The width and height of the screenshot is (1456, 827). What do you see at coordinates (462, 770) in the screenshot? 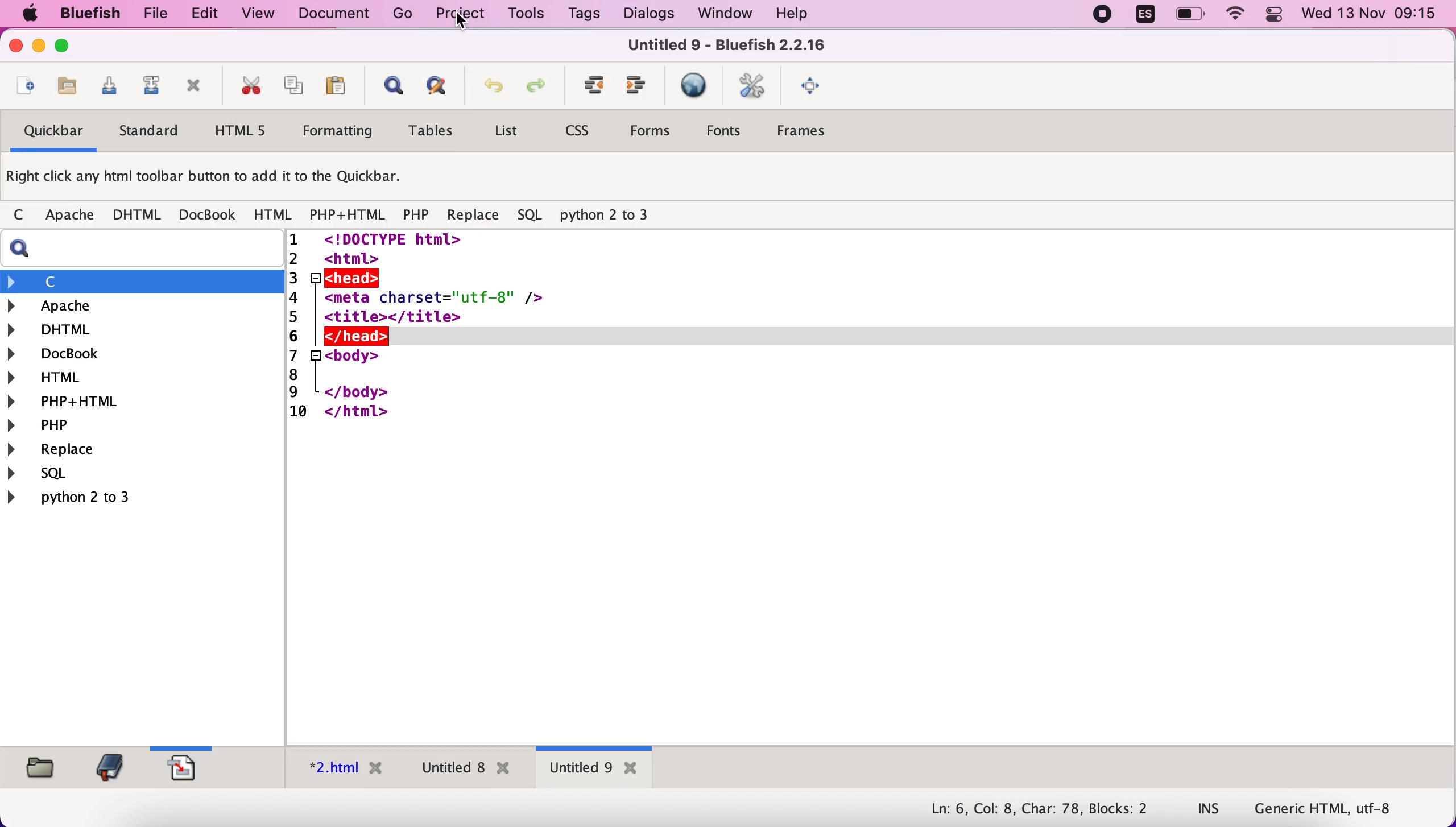
I see `tab` at bounding box center [462, 770].